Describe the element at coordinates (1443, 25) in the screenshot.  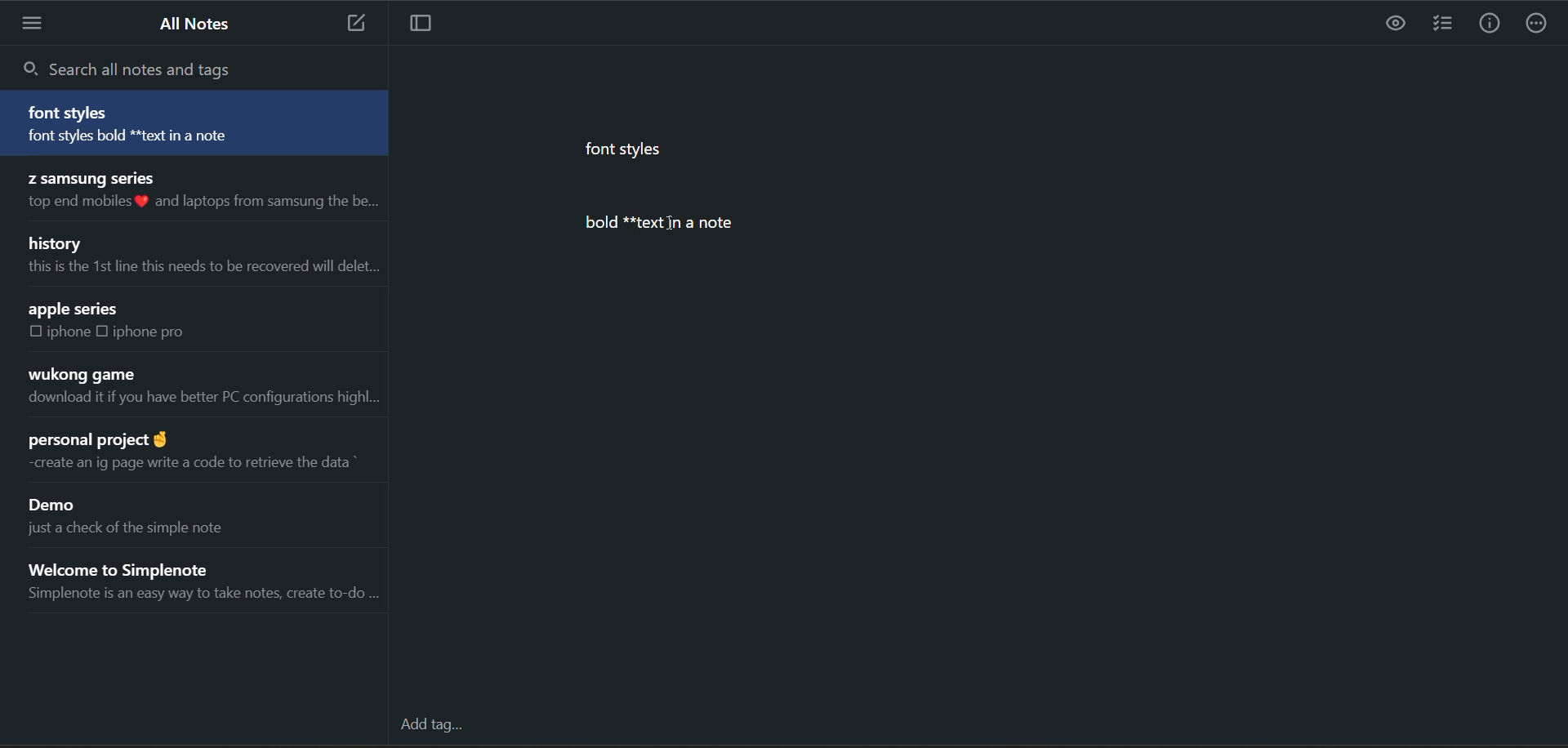
I see `insert checklist` at that location.